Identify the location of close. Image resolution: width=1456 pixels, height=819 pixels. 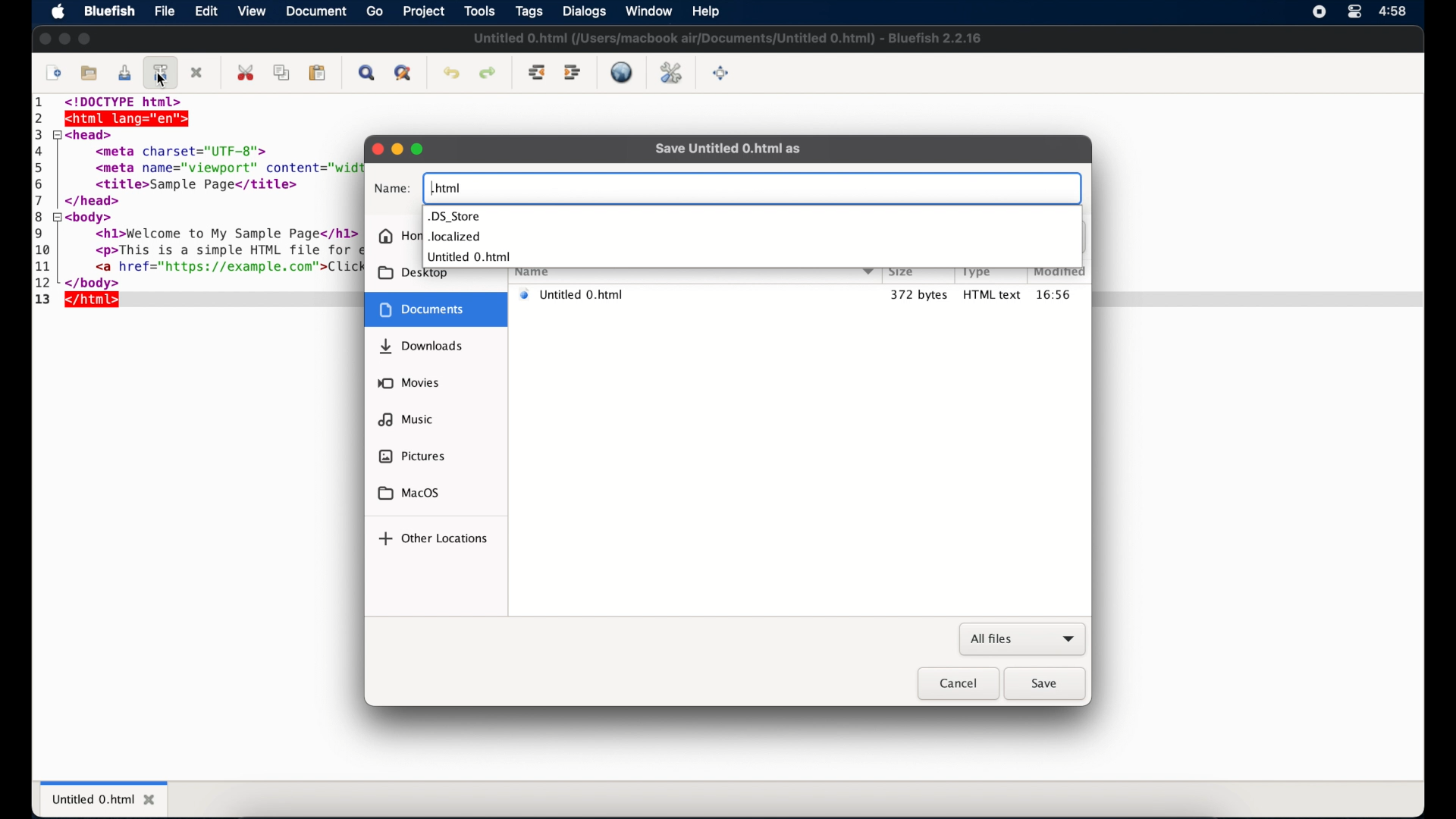
(377, 149).